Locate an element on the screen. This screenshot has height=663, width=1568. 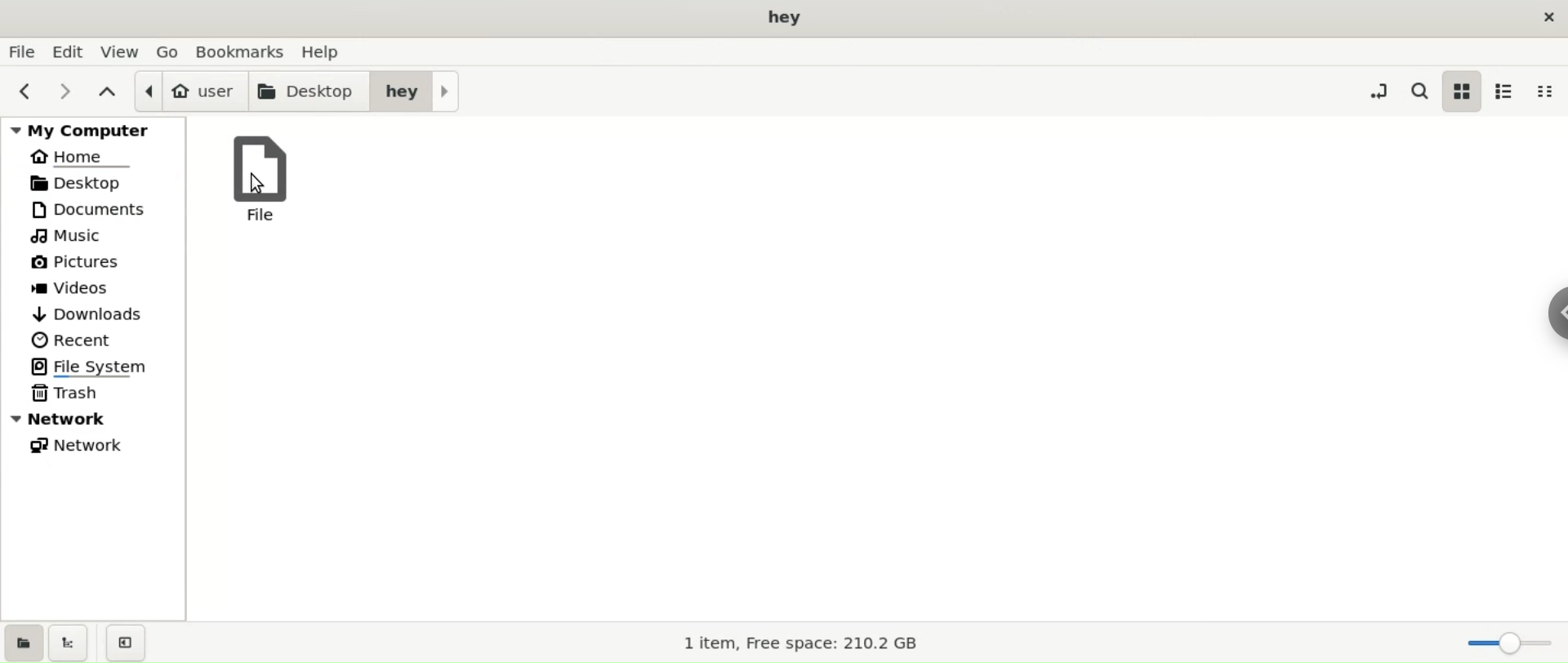
next is located at coordinates (69, 93).